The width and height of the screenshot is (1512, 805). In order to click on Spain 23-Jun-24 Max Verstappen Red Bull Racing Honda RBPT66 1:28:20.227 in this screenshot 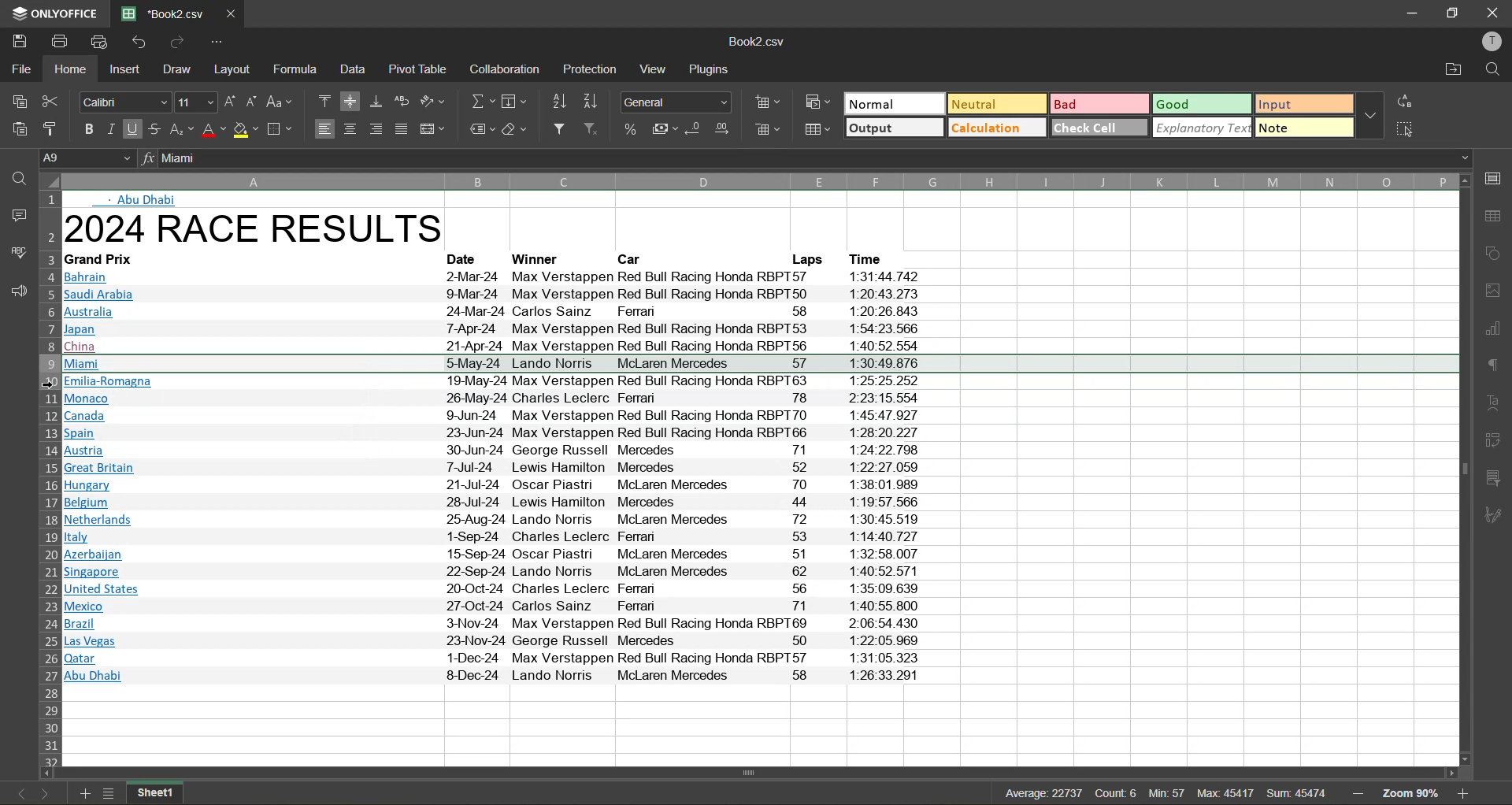, I will do `click(492, 432)`.